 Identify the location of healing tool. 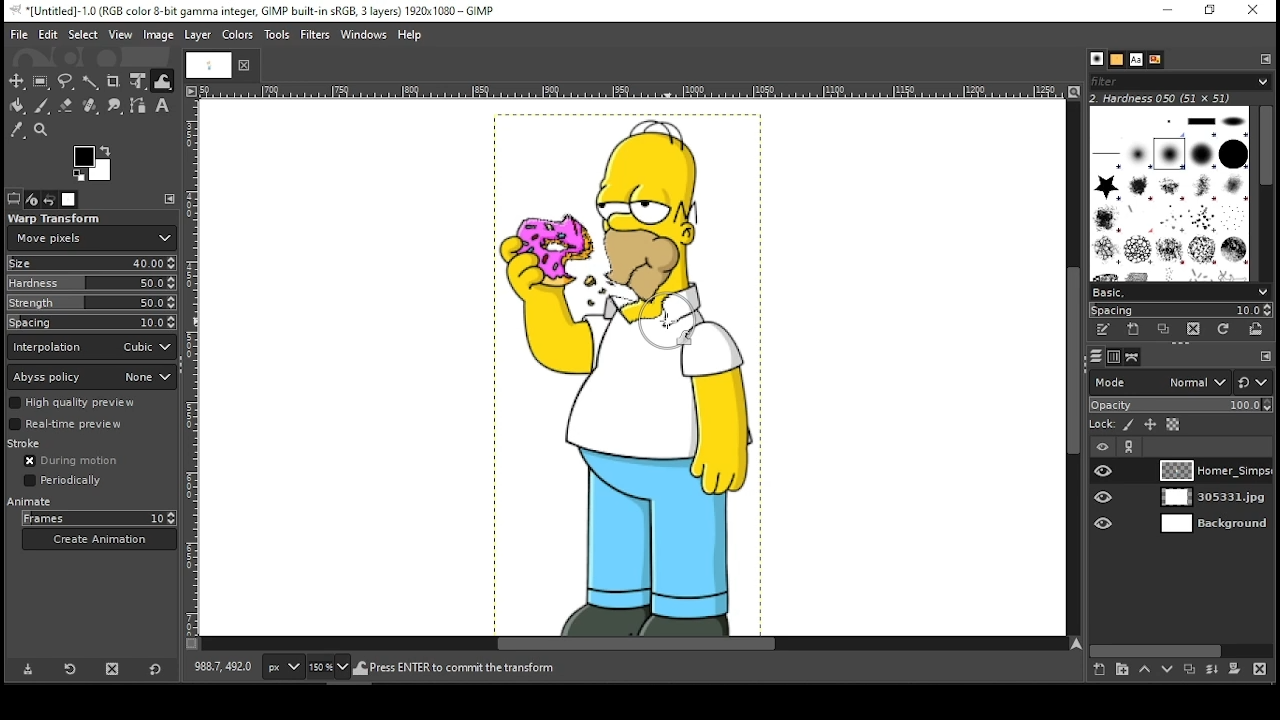
(92, 106).